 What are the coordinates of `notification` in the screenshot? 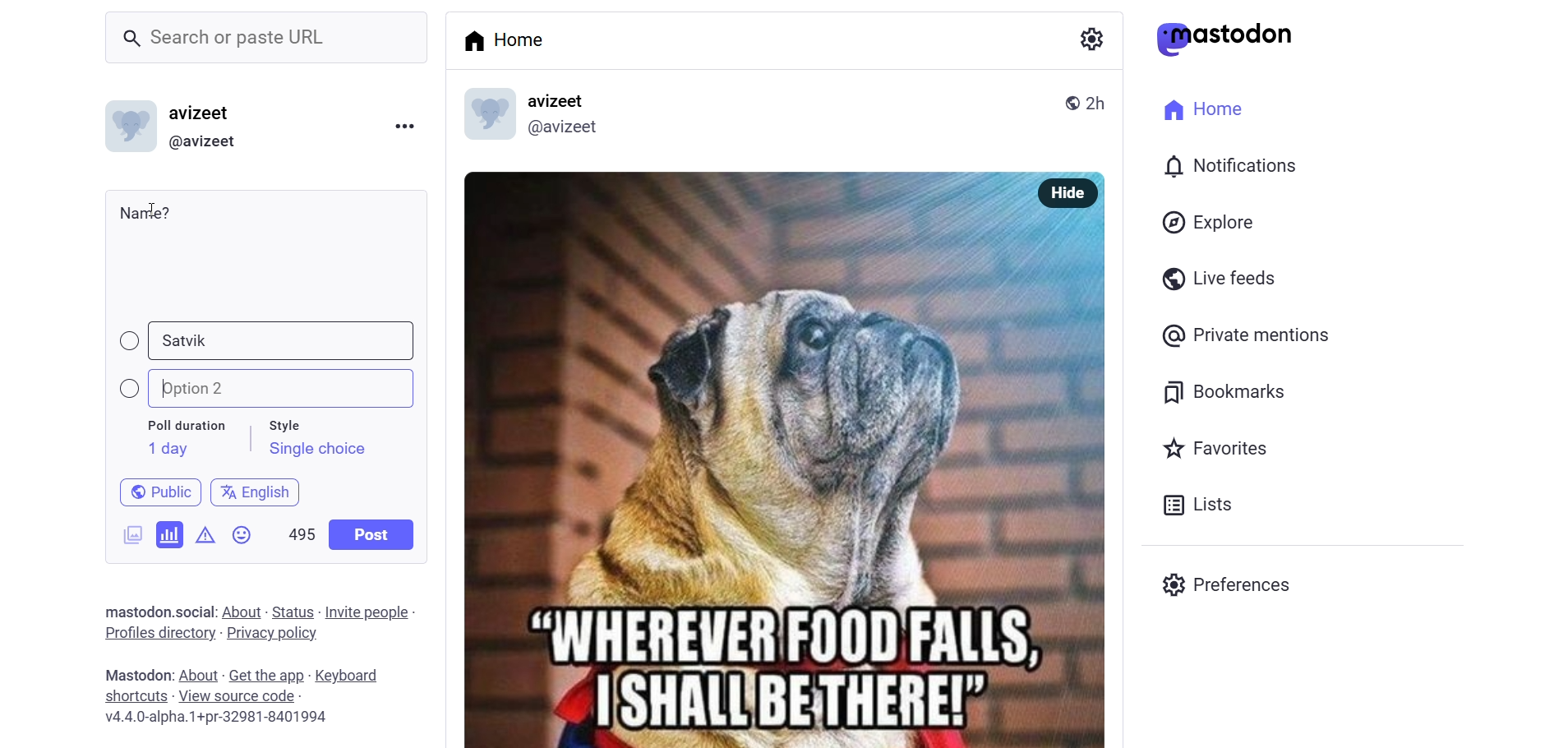 It's located at (1228, 168).